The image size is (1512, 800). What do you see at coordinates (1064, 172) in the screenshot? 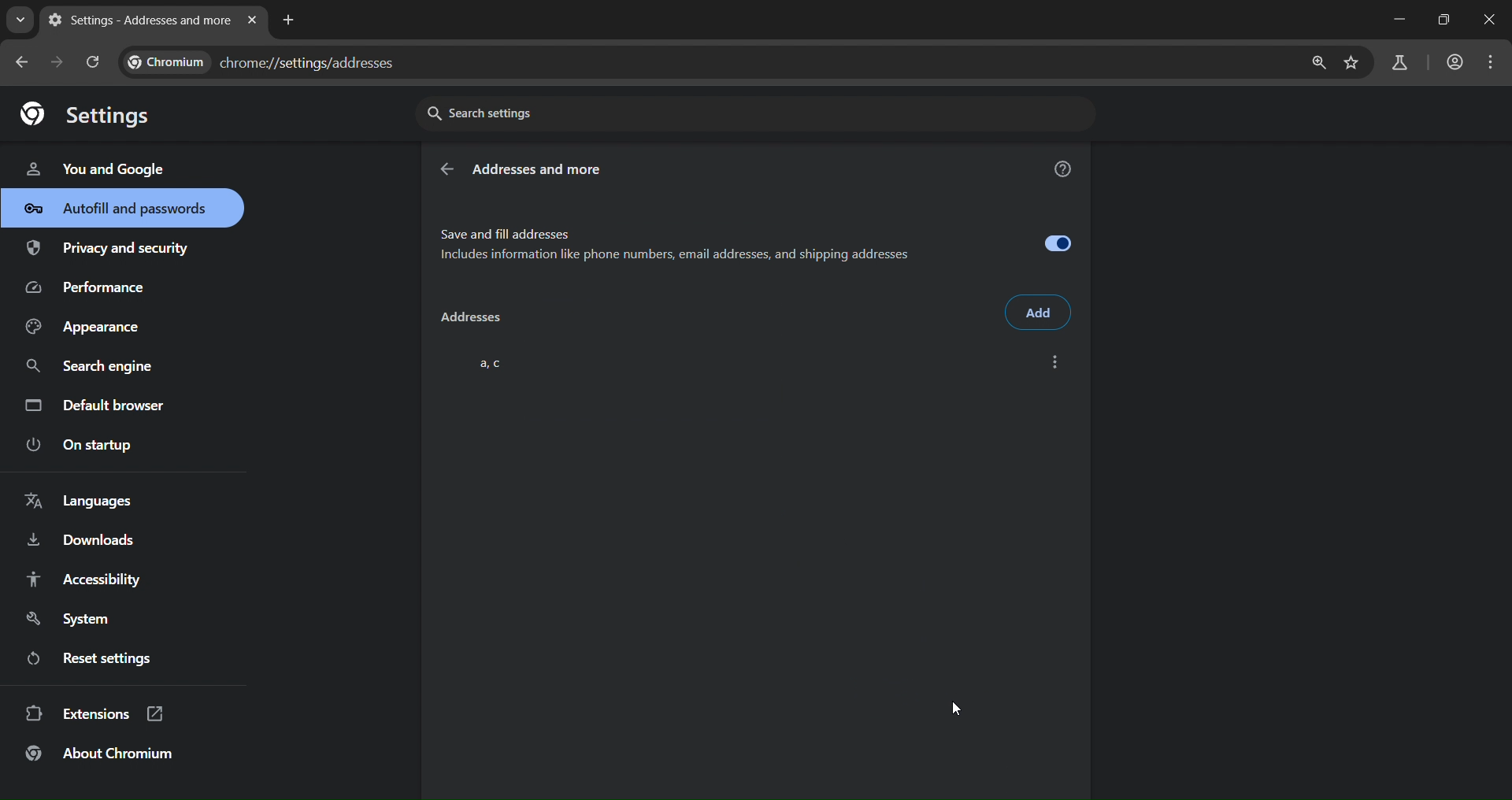
I see `get help` at bounding box center [1064, 172].